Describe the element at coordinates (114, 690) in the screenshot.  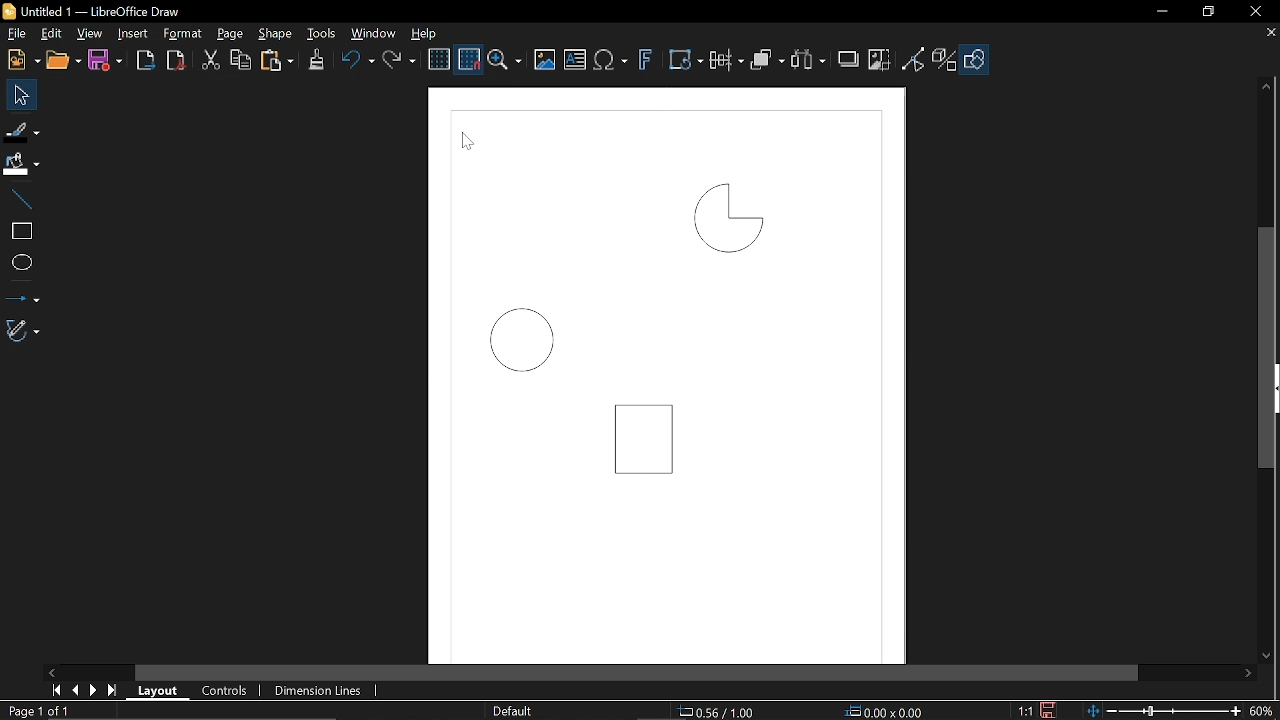
I see `last page` at that location.